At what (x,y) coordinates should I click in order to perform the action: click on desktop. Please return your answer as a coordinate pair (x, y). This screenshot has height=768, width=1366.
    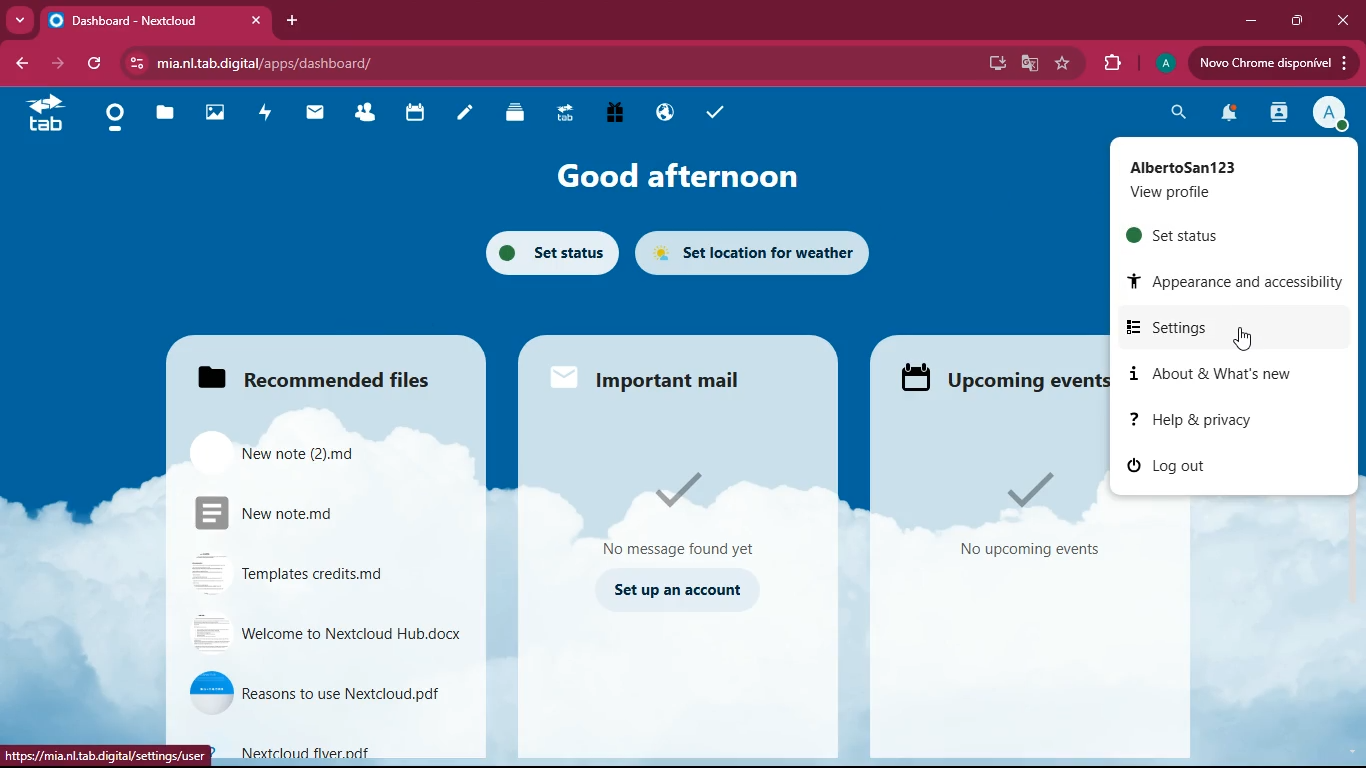
    Looking at the image, I should click on (992, 64).